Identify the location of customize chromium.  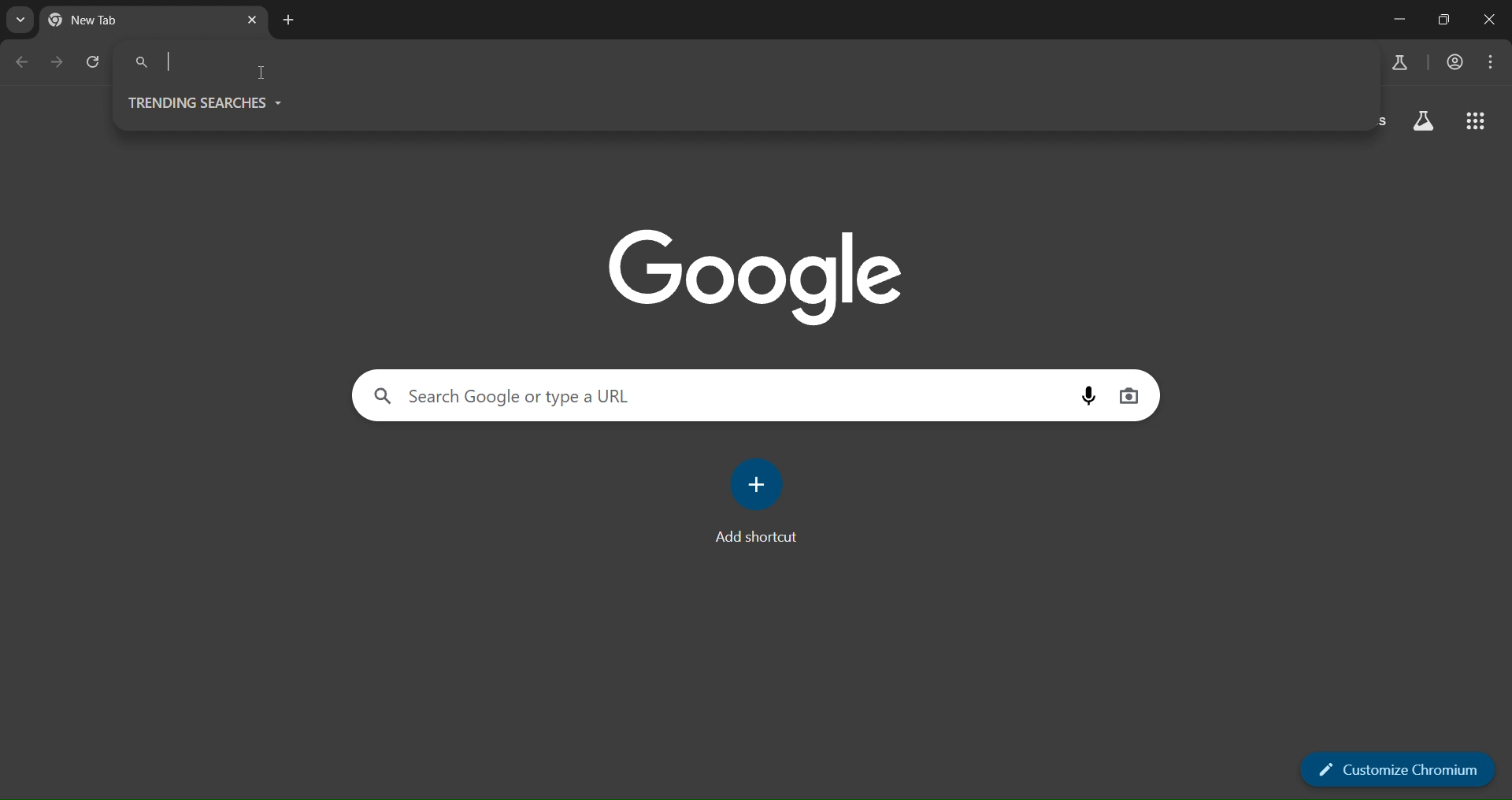
(1398, 770).